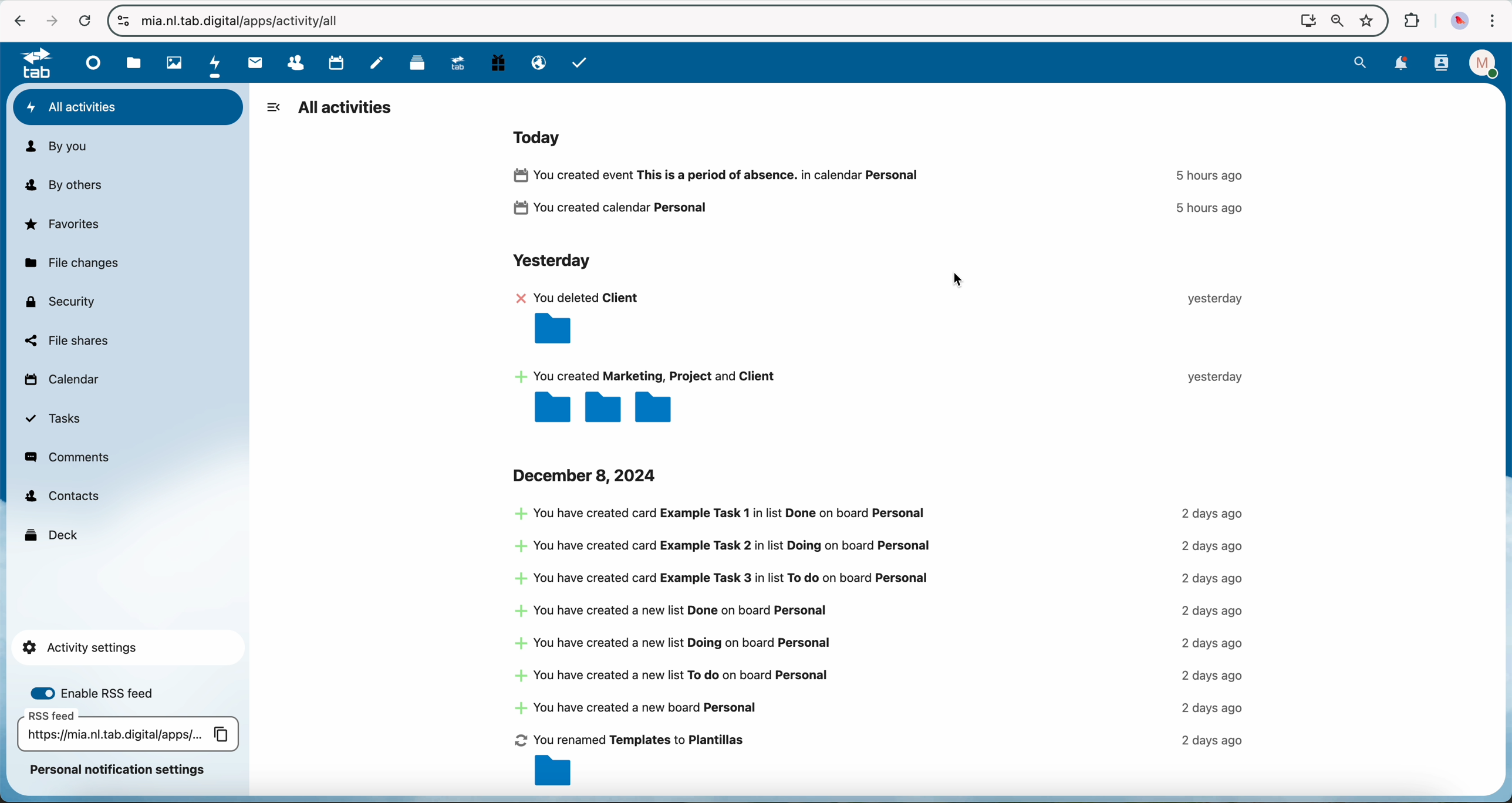  I want to click on calendar, so click(332, 62).